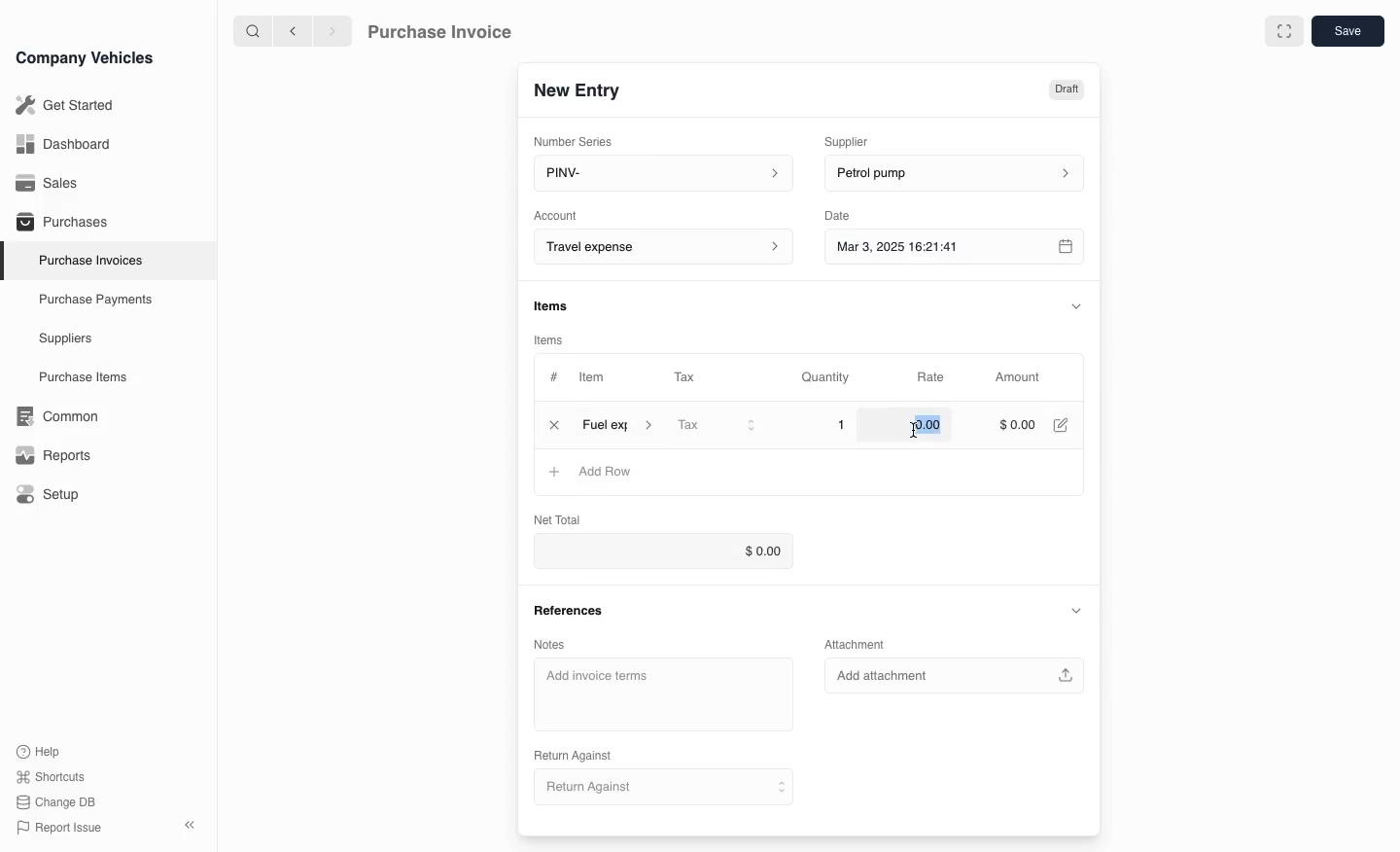 The width and height of the screenshot is (1400, 852). What do you see at coordinates (1347, 30) in the screenshot?
I see `save` at bounding box center [1347, 30].